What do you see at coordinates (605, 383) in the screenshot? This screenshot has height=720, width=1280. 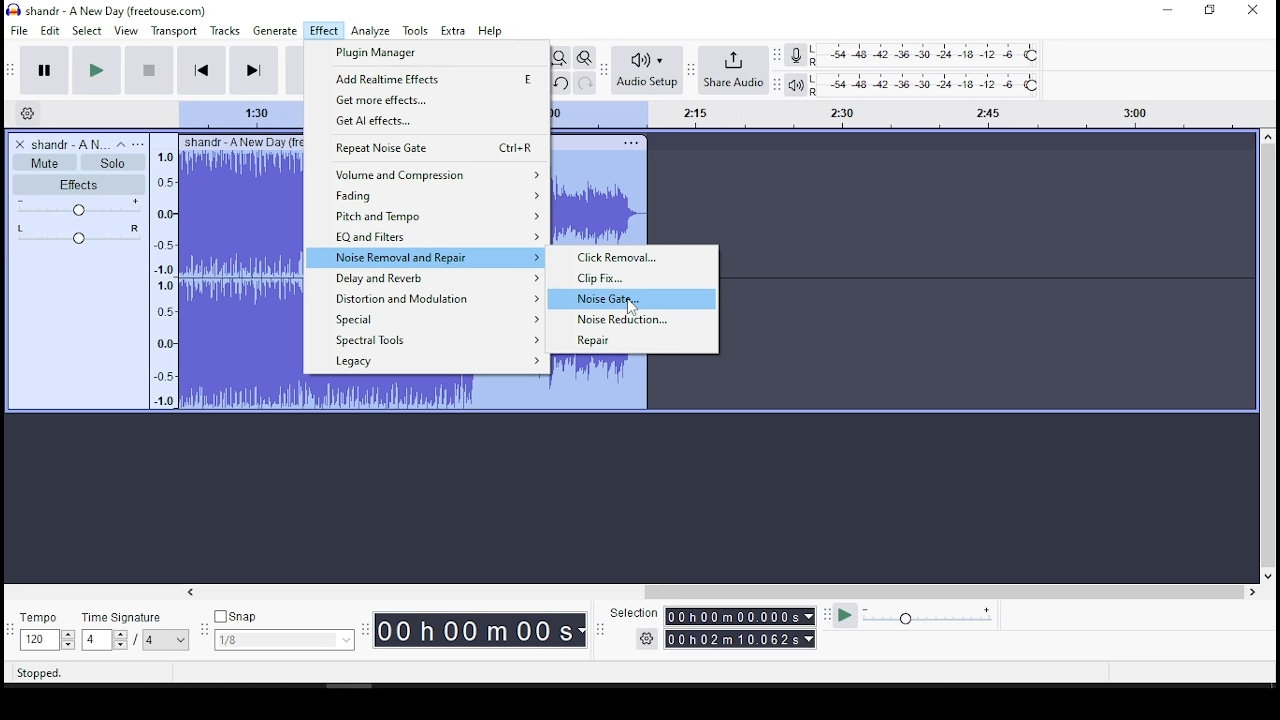 I see `audio track` at bounding box center [605, 383].